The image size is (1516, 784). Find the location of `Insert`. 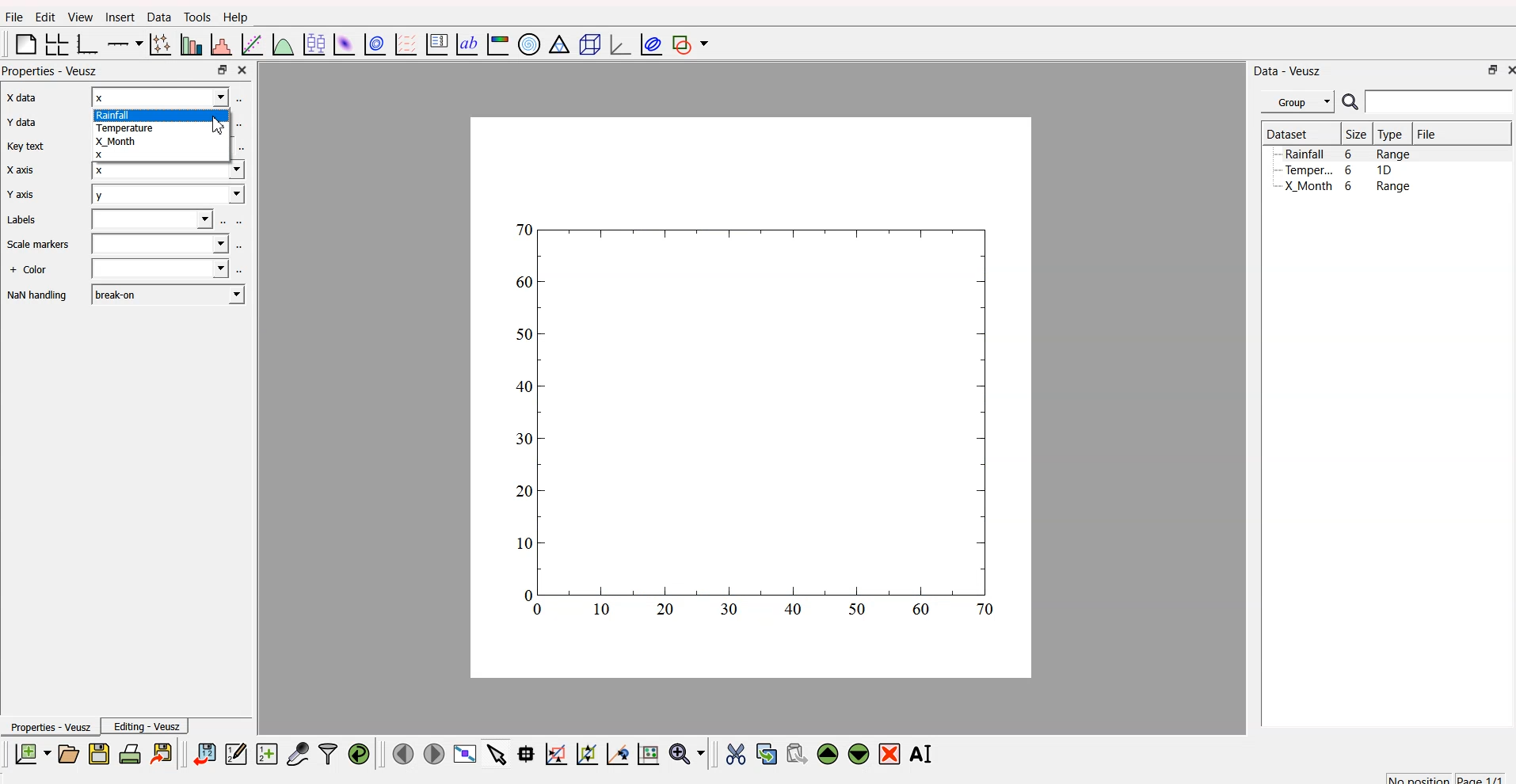

Insert is located at coordinates (119, 17).